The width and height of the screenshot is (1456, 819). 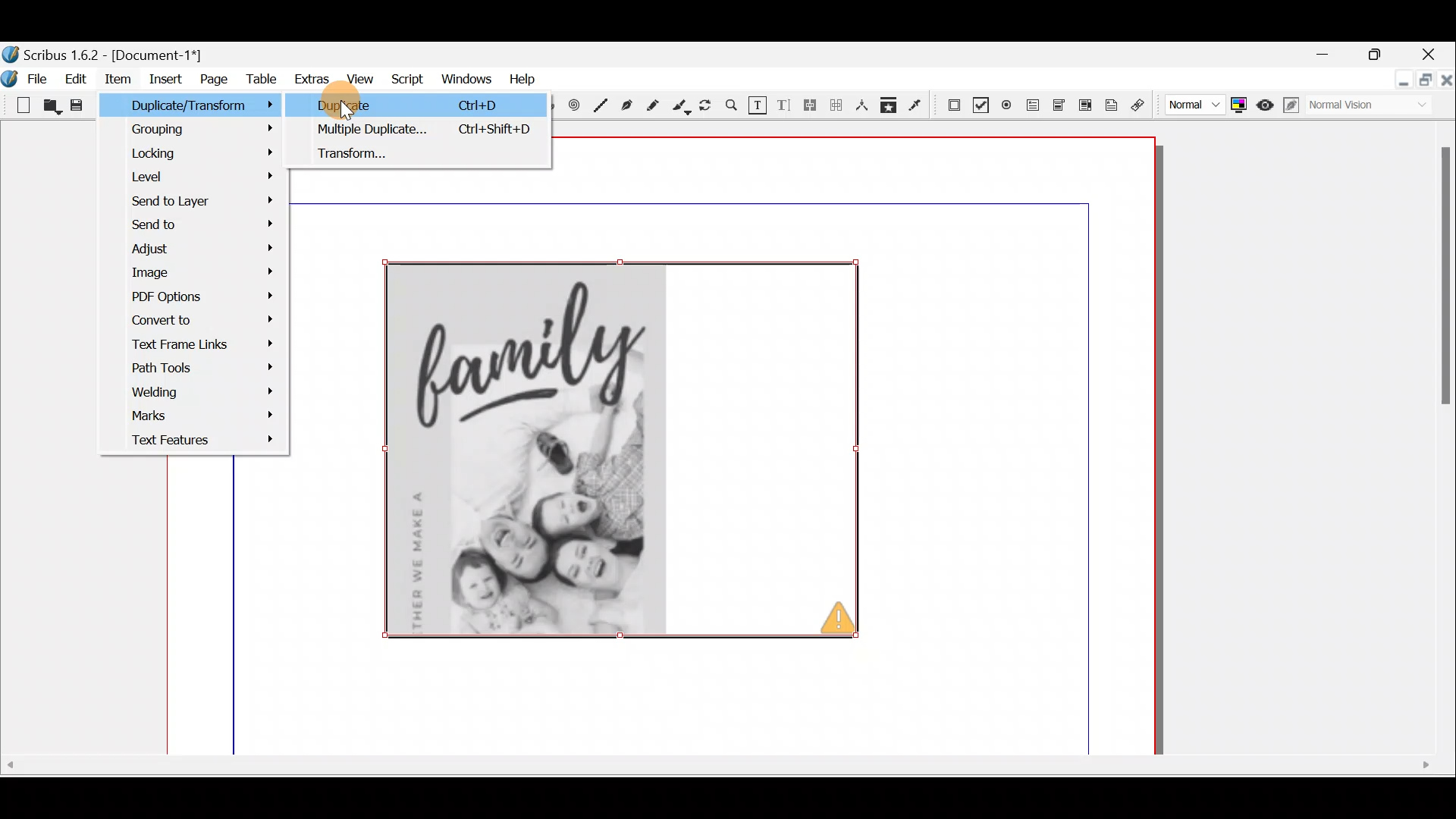 I want to click on Text frame links, so click(x=199, y=347).